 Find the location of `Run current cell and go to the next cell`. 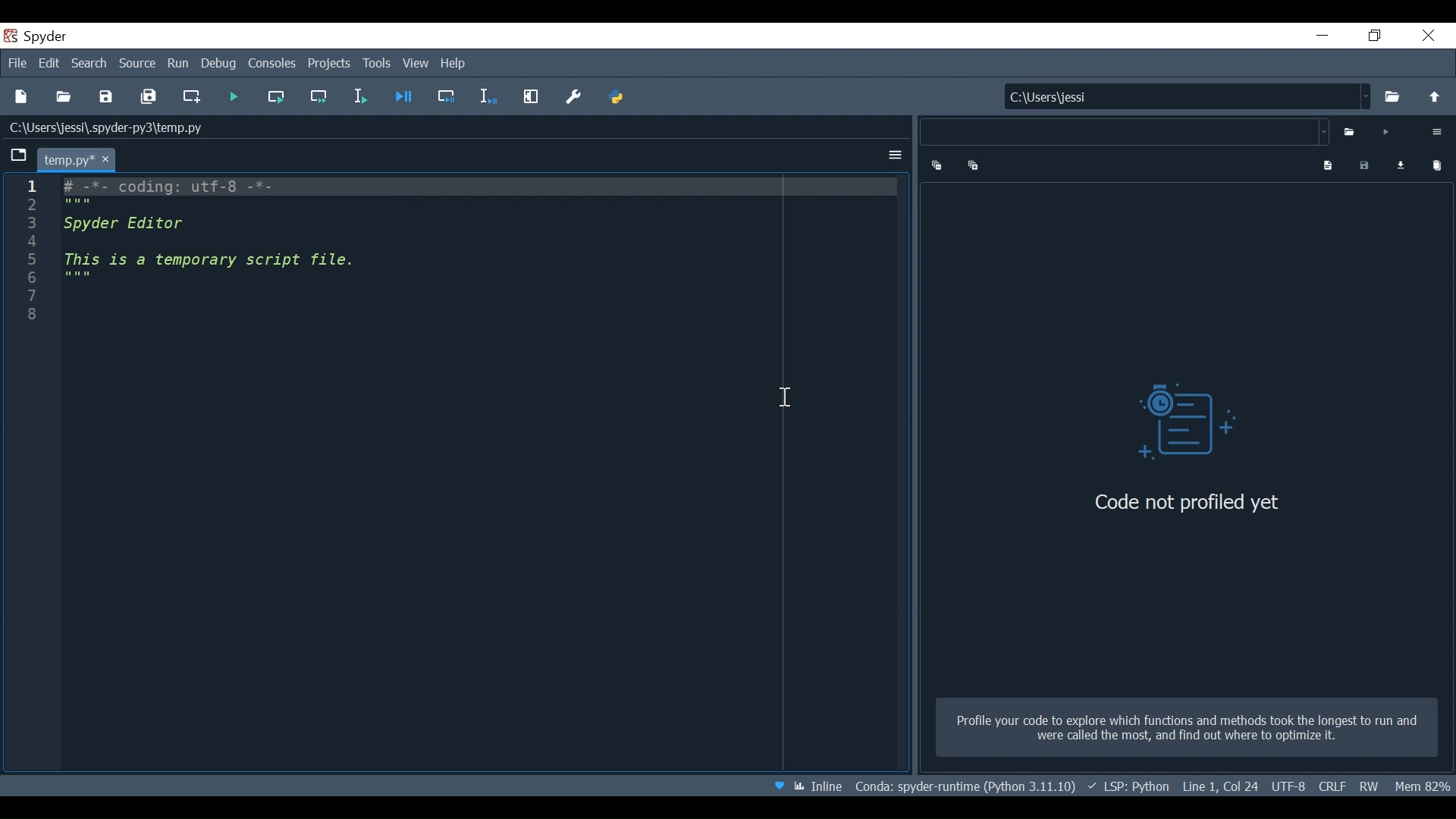

Run current cell and go to the next cell is located at coordinates (320, 96).